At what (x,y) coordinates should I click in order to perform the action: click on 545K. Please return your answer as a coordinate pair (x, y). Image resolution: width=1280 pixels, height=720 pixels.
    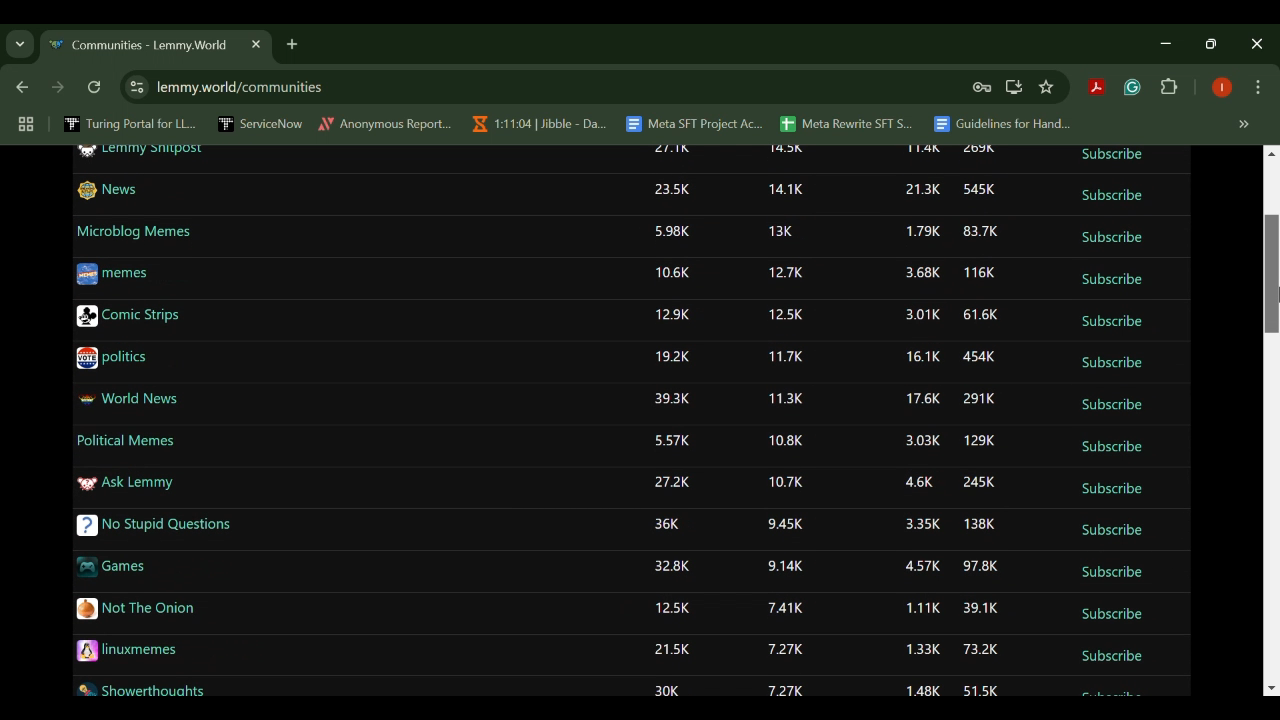
    Looking at the image, I should click on (981, 190).